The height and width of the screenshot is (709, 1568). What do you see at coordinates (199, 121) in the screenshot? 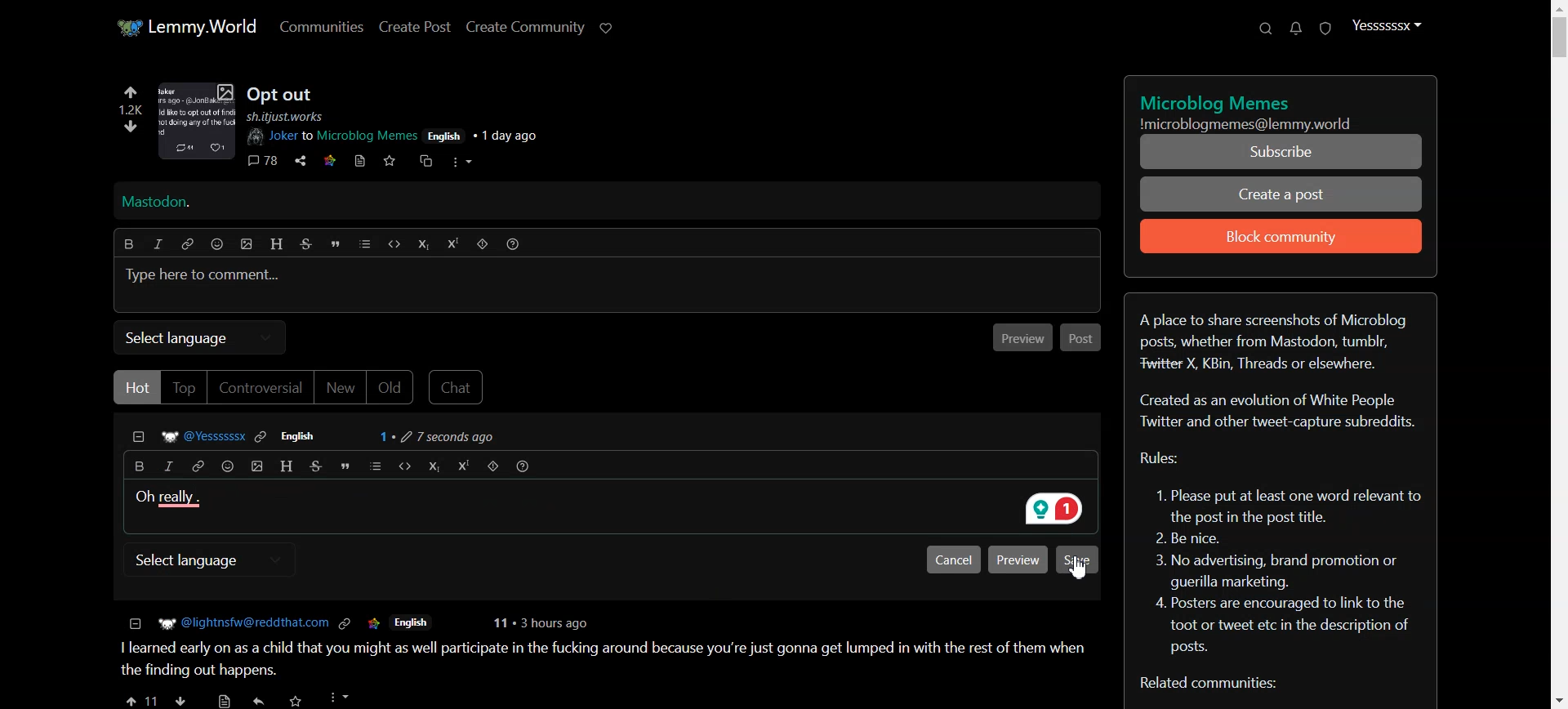
I see `image` at bounding box center [199, 121].